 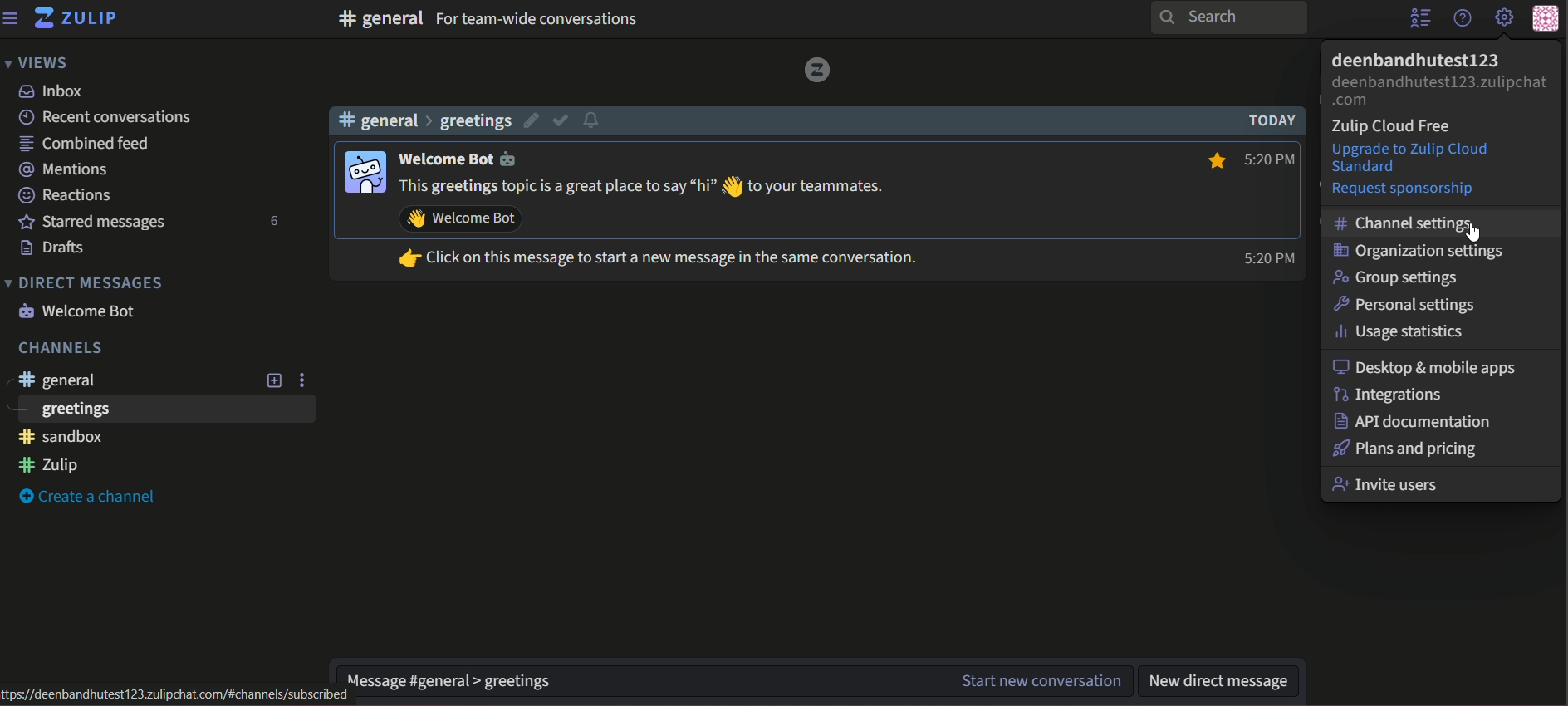 I want to click on edit, so click(x=528, y=120).